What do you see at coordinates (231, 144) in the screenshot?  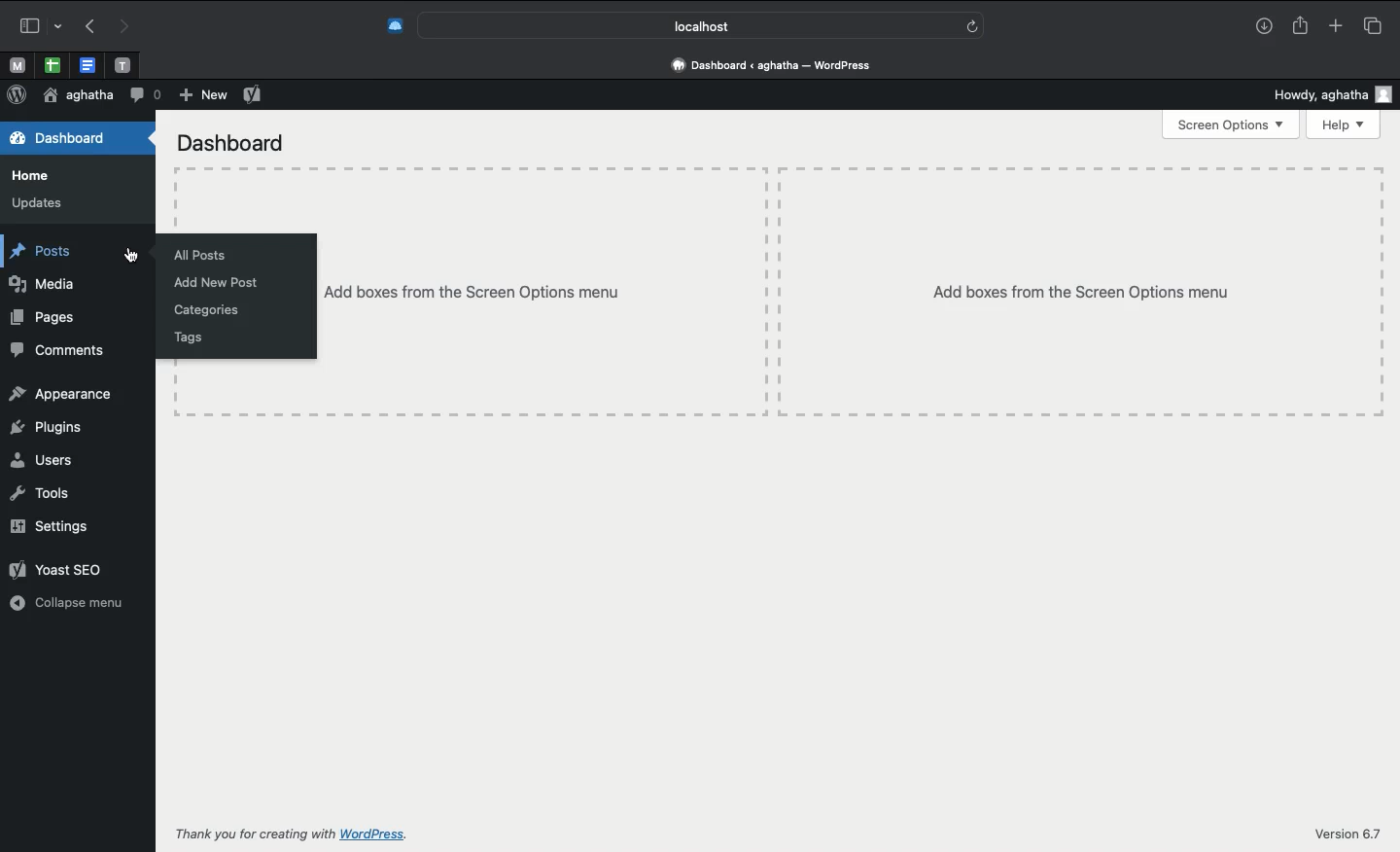 I see `Dashboard` at bounding box center [231, 144].